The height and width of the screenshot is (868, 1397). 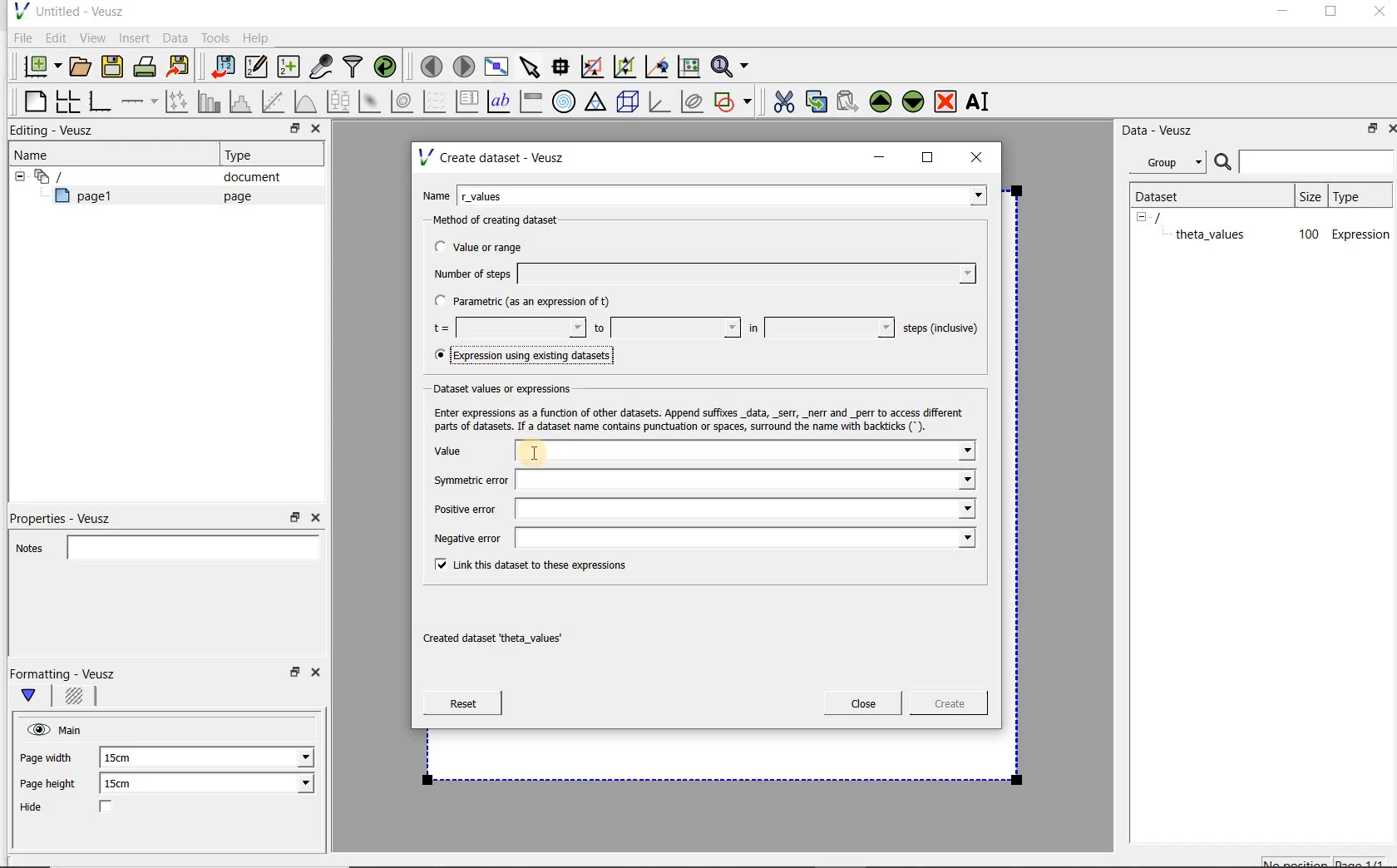 I want to click on open a document, so click(x=82, y=65).